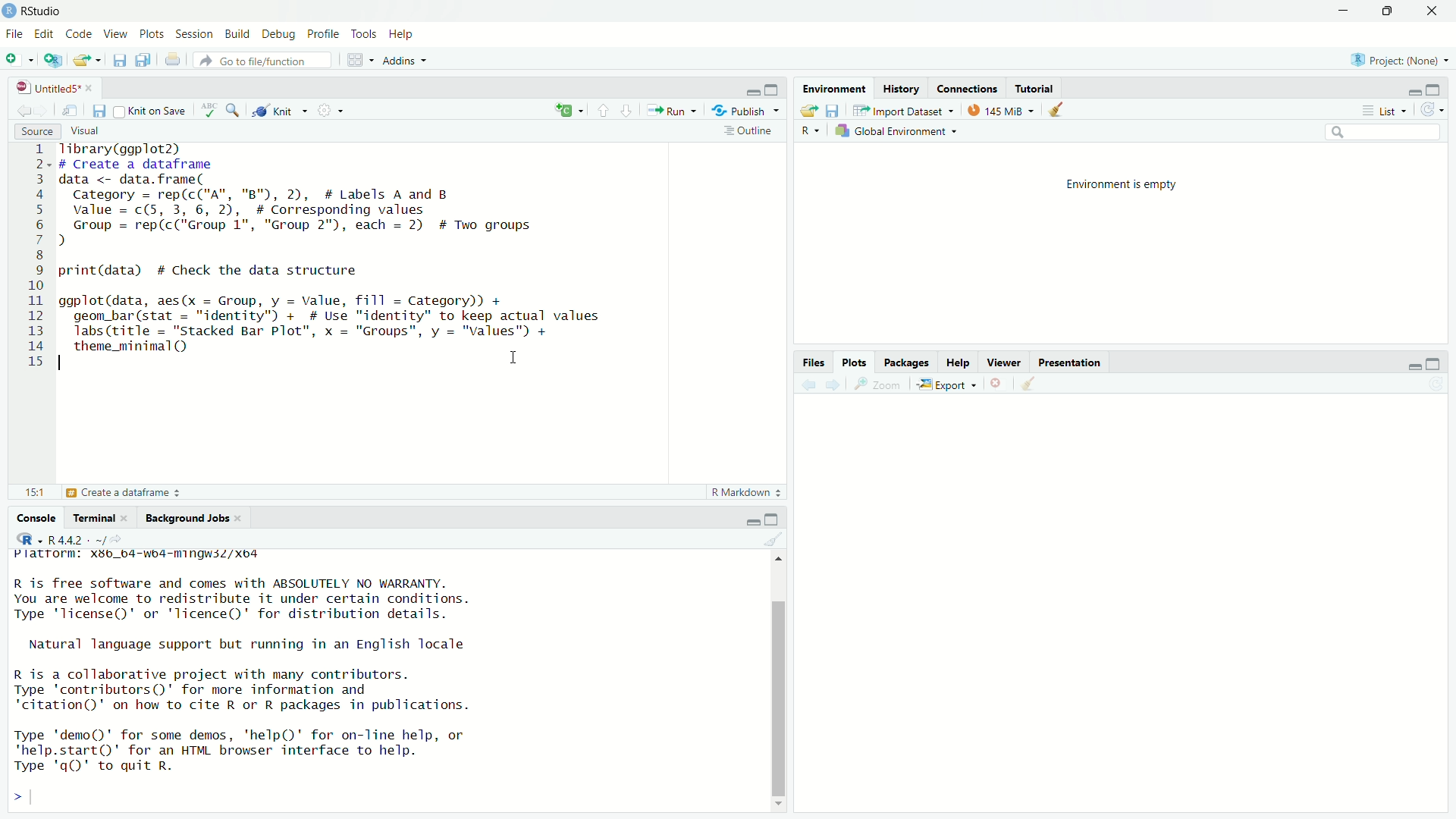 This screenshot has width=1456, height=819. I want to click on Plots, so click(856, 362).